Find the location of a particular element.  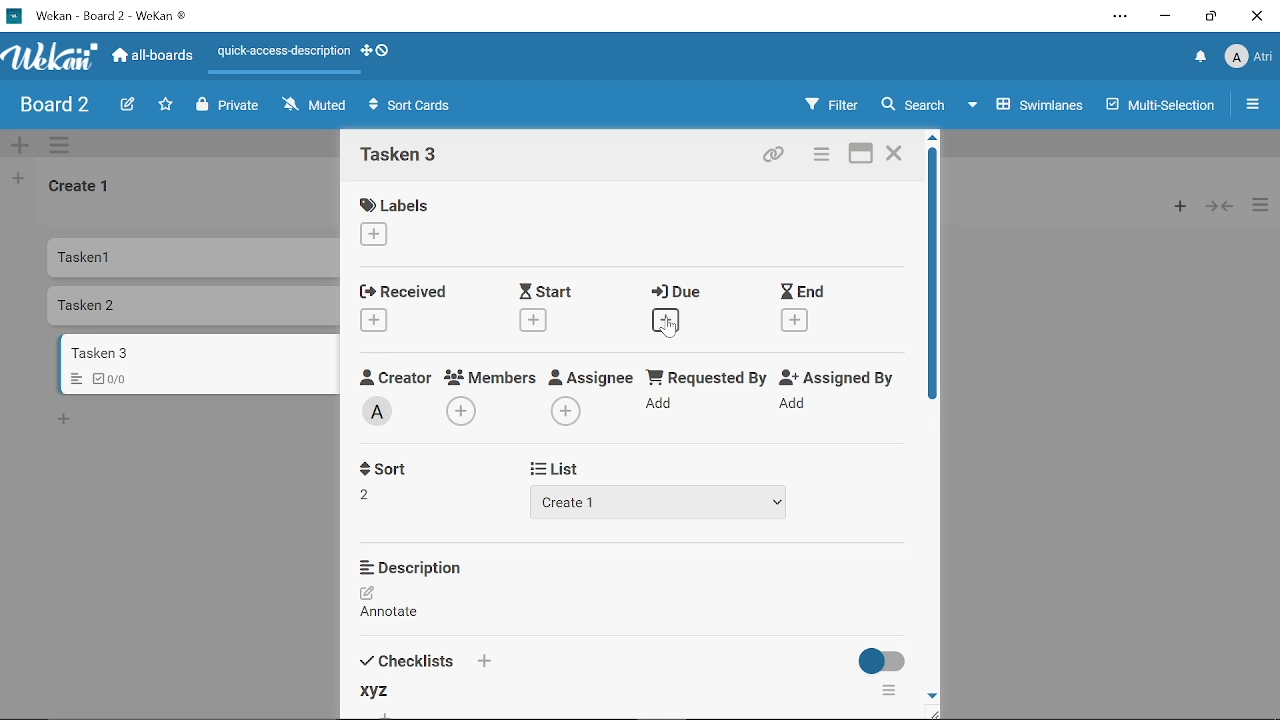

Received is located at coordinates (405, 292).